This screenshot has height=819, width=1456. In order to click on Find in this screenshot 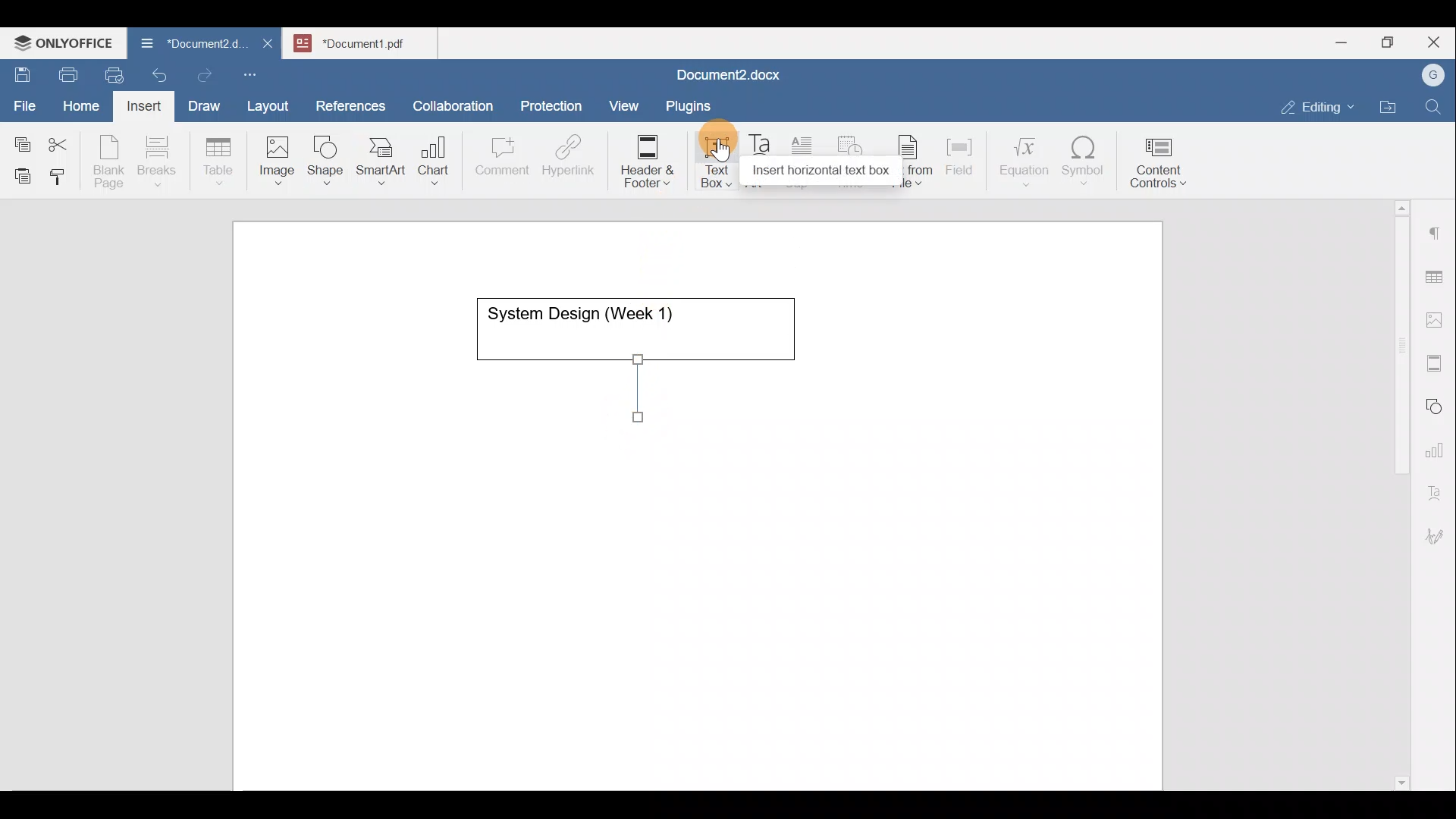, I will do `click(1435, 108)`.